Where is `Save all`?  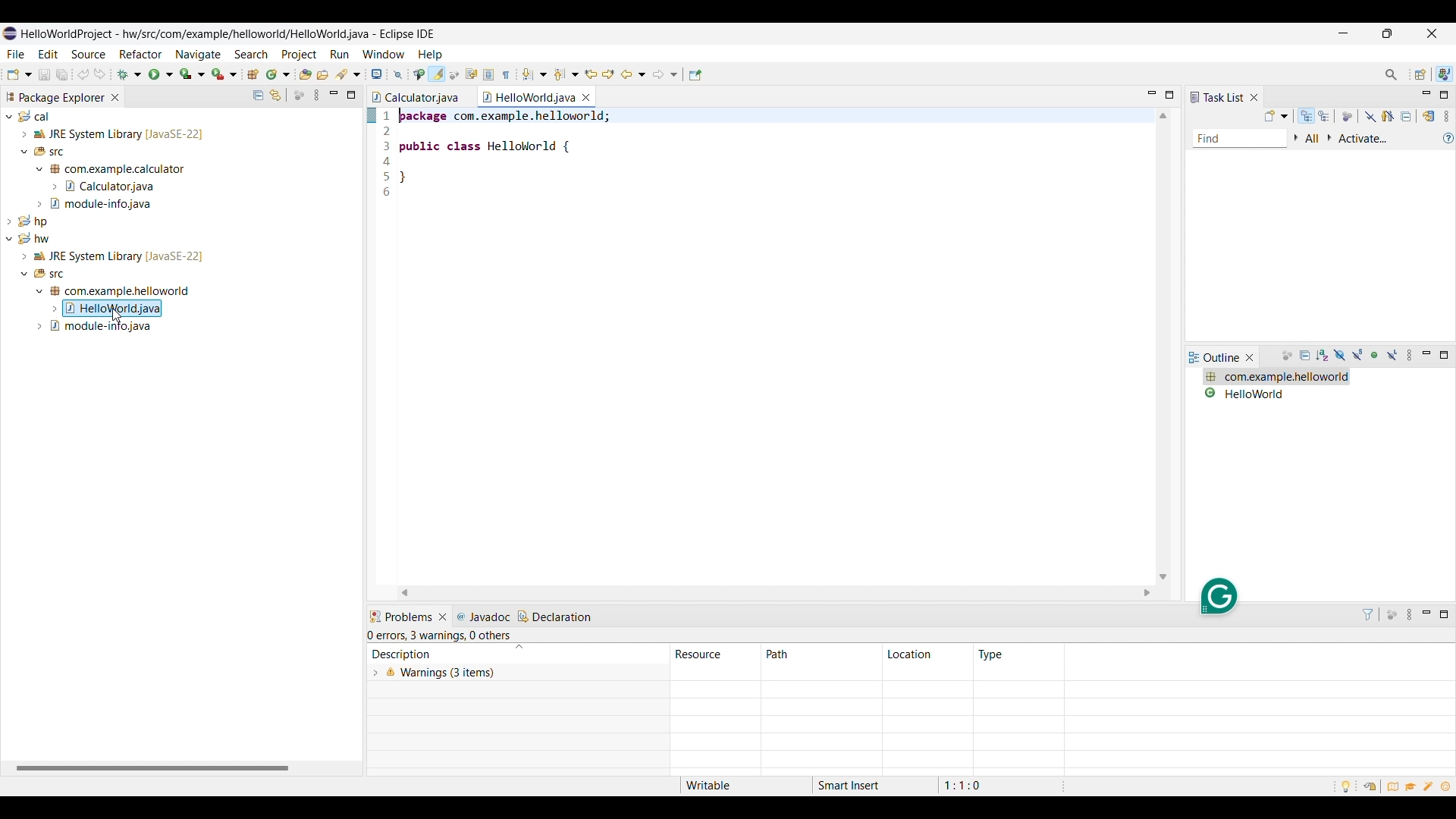 Save all is located at coordinates (62, 75).